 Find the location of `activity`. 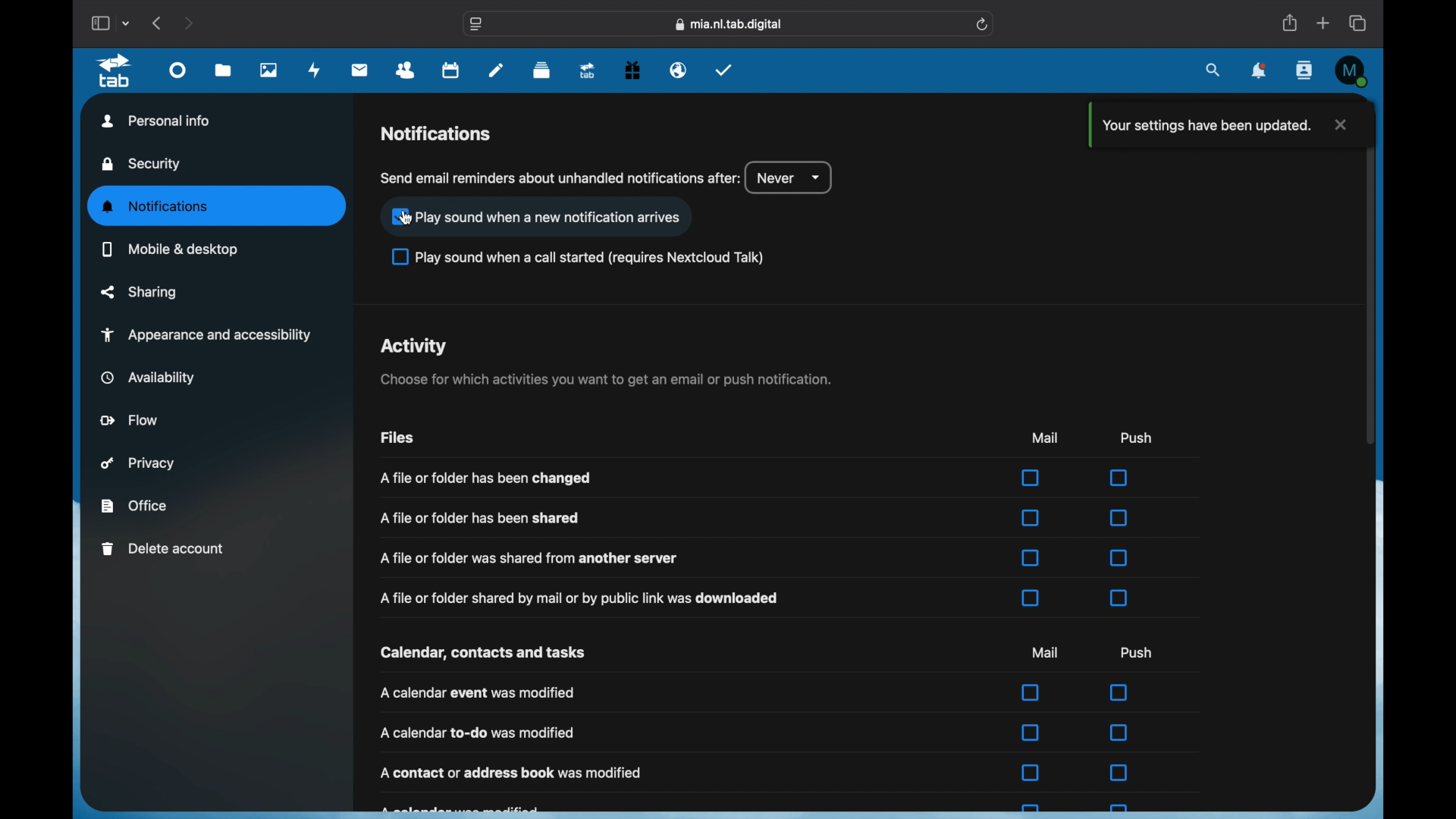

activity is located at coordinates (415, 347).